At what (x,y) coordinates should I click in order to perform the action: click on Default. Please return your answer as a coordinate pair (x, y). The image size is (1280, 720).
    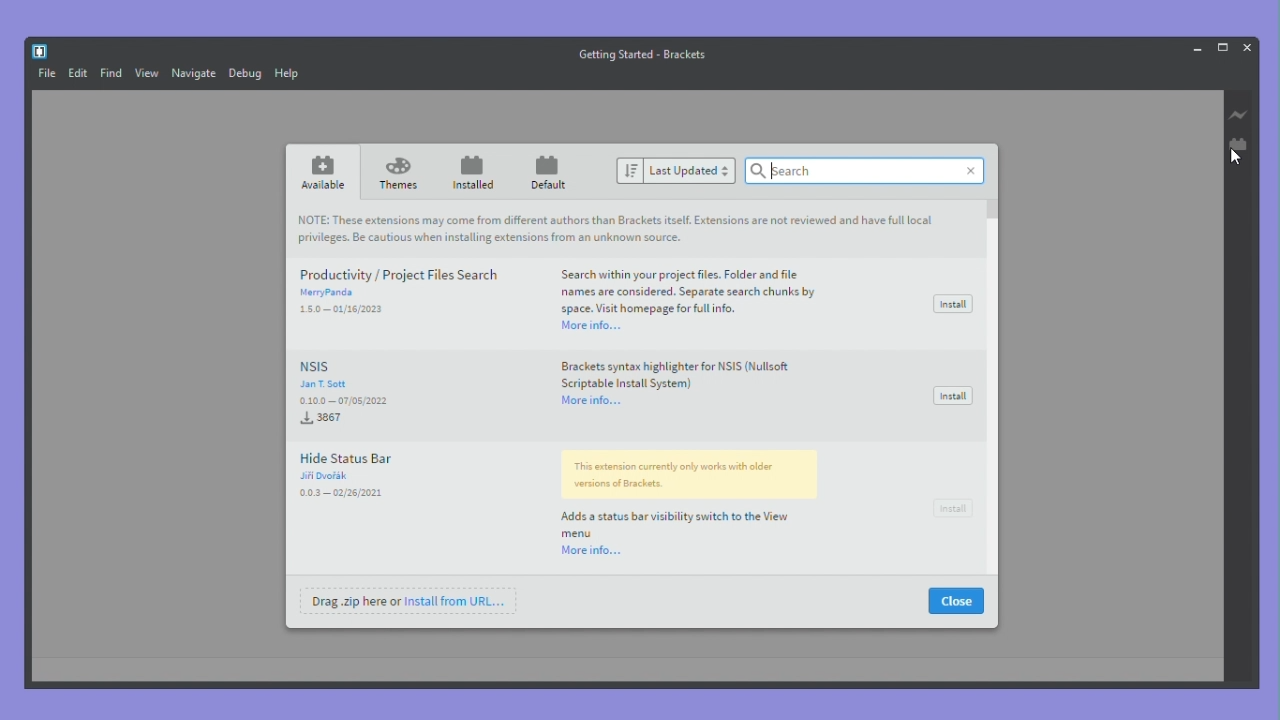
    Looking at the image, I should click on (547, 173).